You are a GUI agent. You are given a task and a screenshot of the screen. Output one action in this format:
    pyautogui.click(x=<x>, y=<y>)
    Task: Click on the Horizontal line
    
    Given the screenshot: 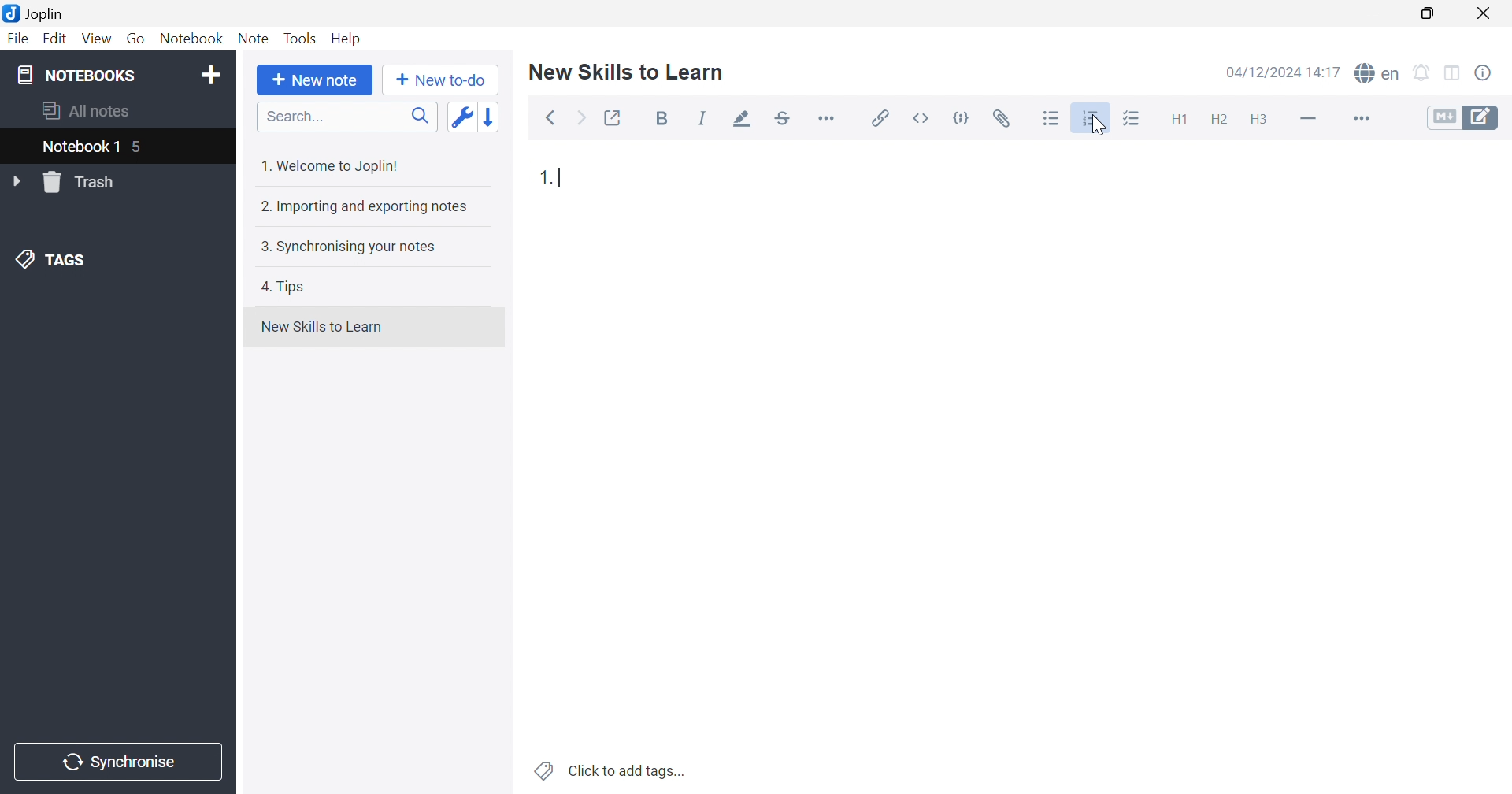 What is the action you would take?
    pyautogui.click(x=1310, y=117)
    